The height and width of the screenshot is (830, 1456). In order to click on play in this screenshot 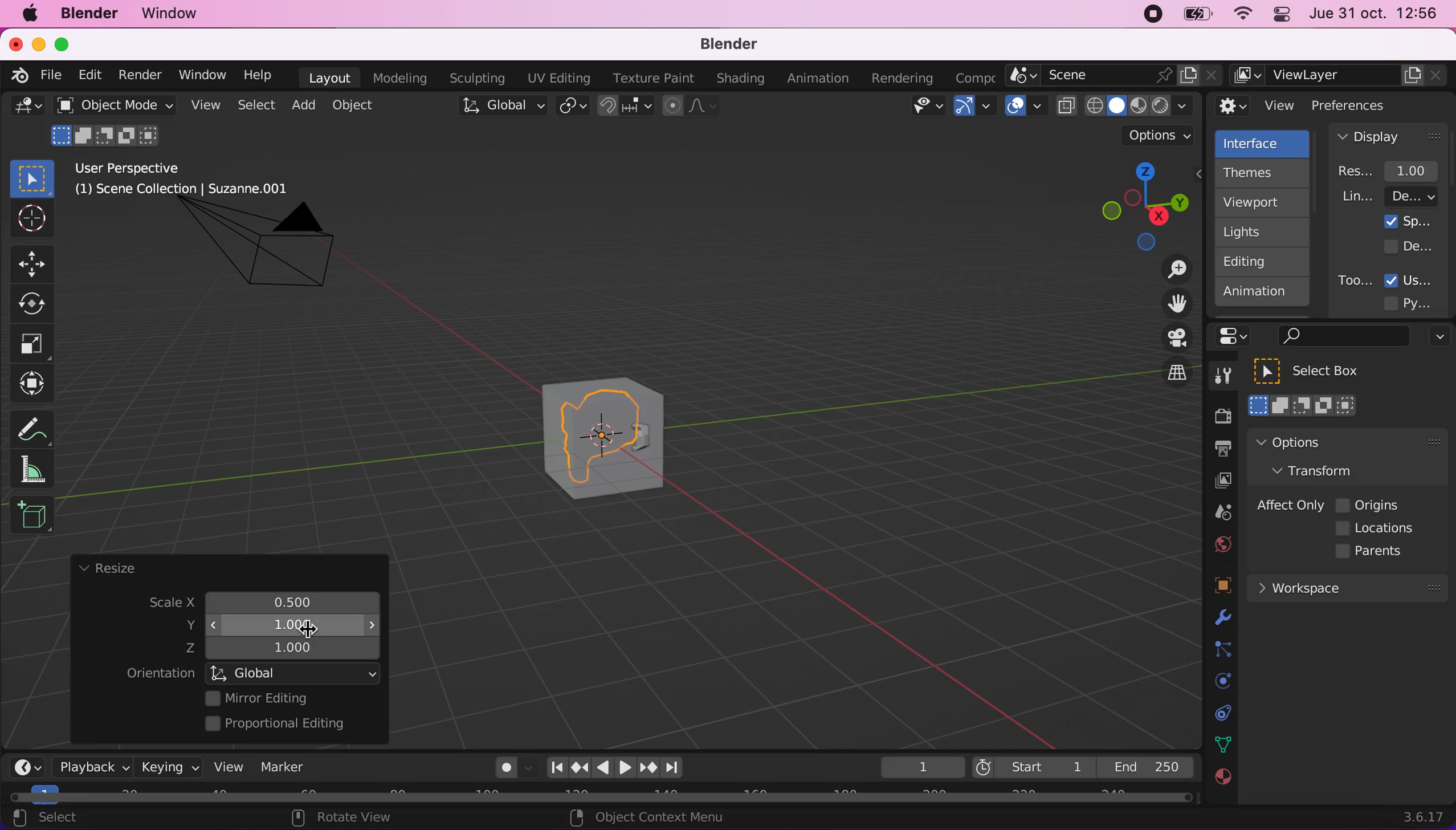, I will do `click(615, 768)`.